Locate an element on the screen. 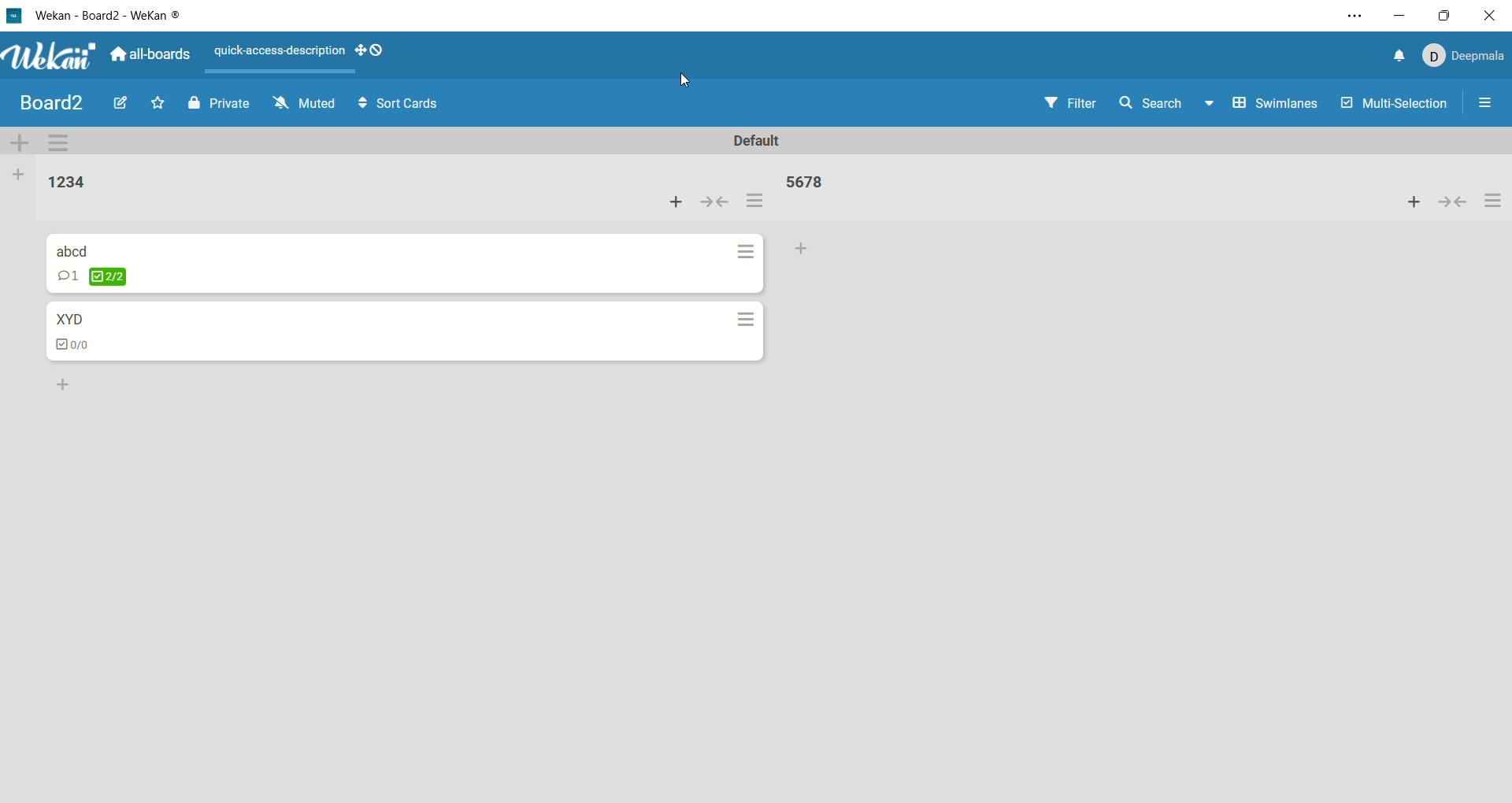  wekan is located at coordinates (53, 56).